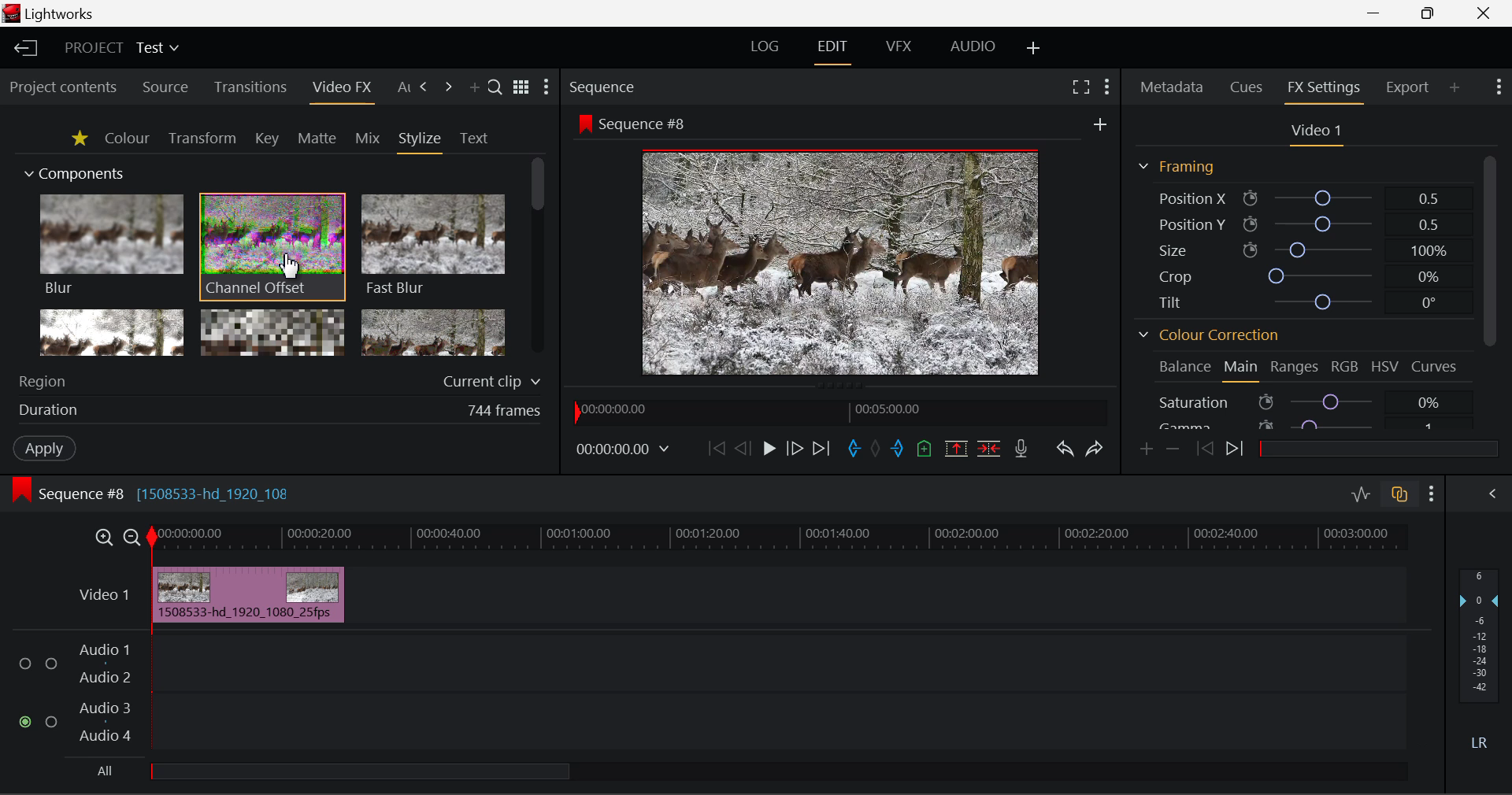 Image resolution: width=1512 pixels, height=795 pixels. I want to click on Toggle between title and list view, so click(521, 84).